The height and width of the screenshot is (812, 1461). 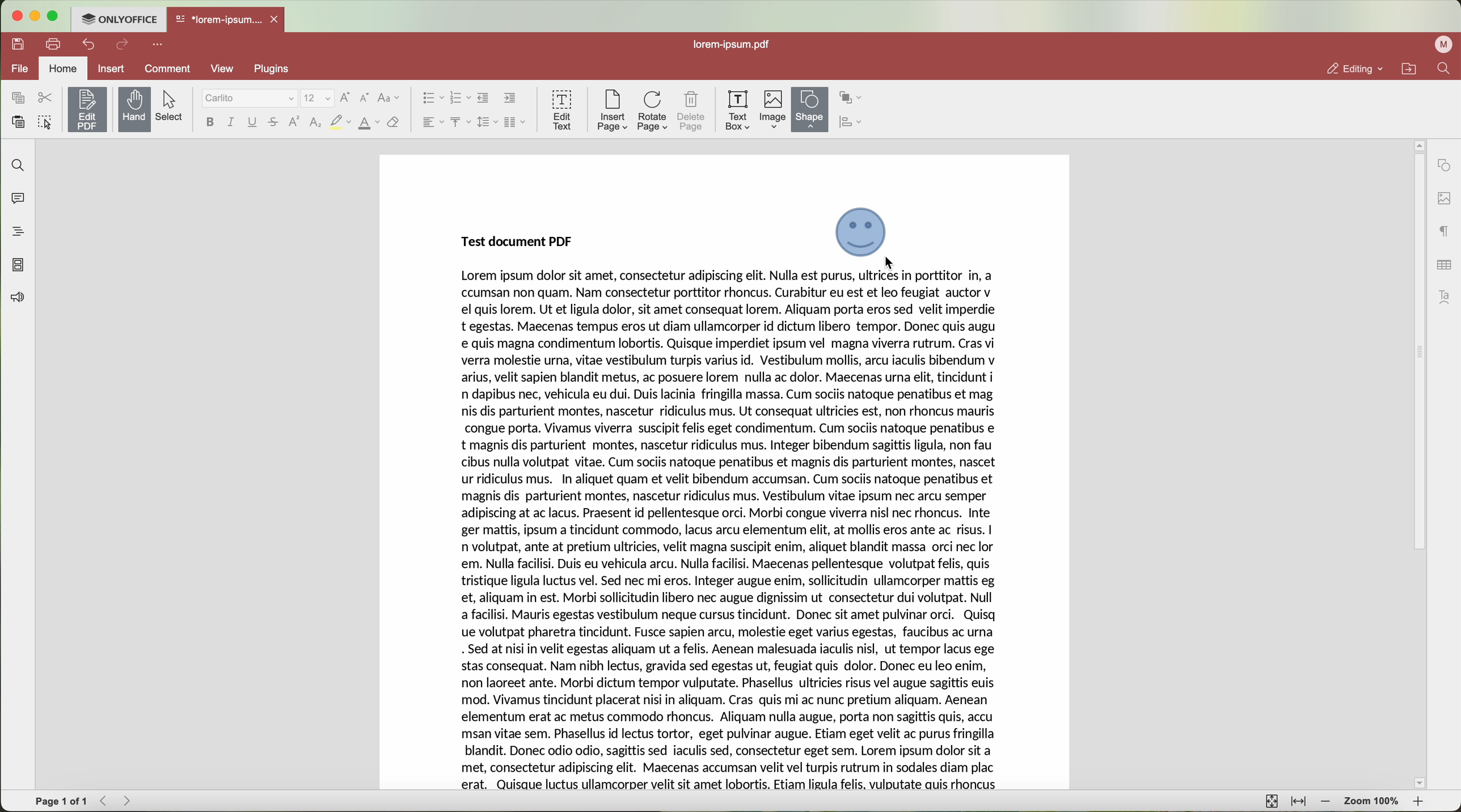 What do you see at coordinates (653, 111) in the screenshot?
I see `rotate page` at bounding box center [653, 111].